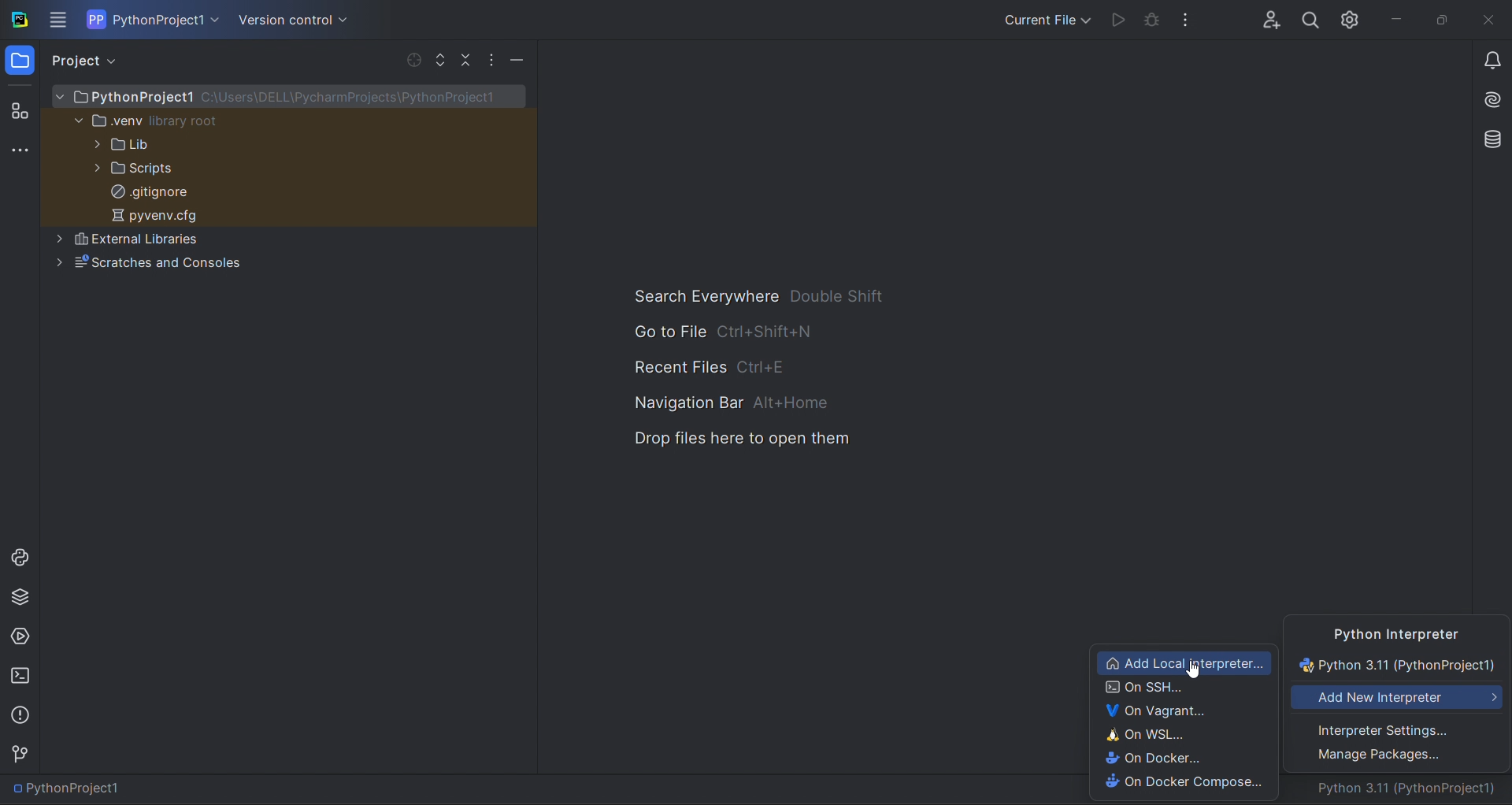 The image size is (1512, 805). Describe the element at coordinates (154, 19) in the screenshot. I see `current project` at that location.